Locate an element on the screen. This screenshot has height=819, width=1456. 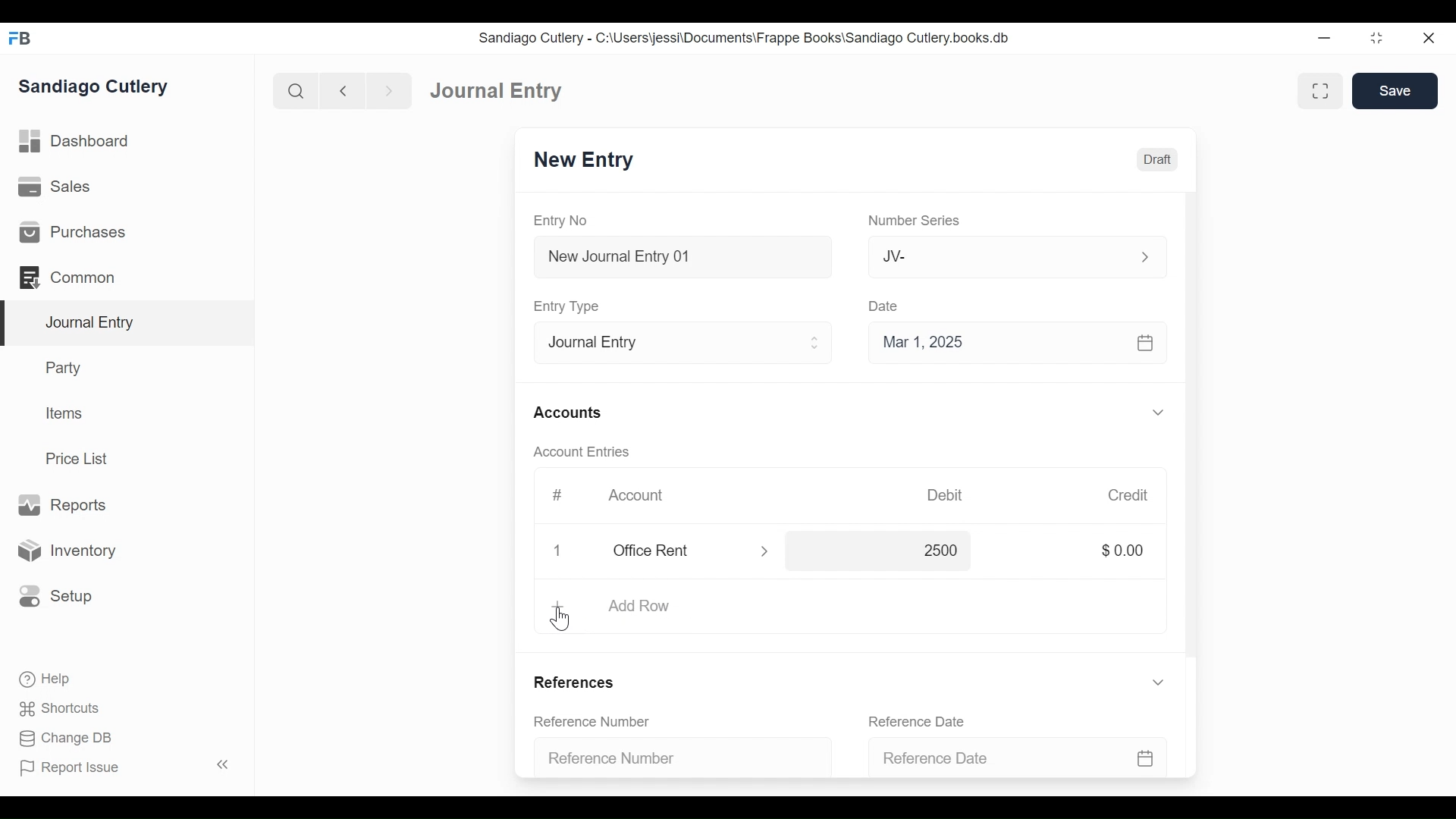
Save is located at coordinates (1395, 90).